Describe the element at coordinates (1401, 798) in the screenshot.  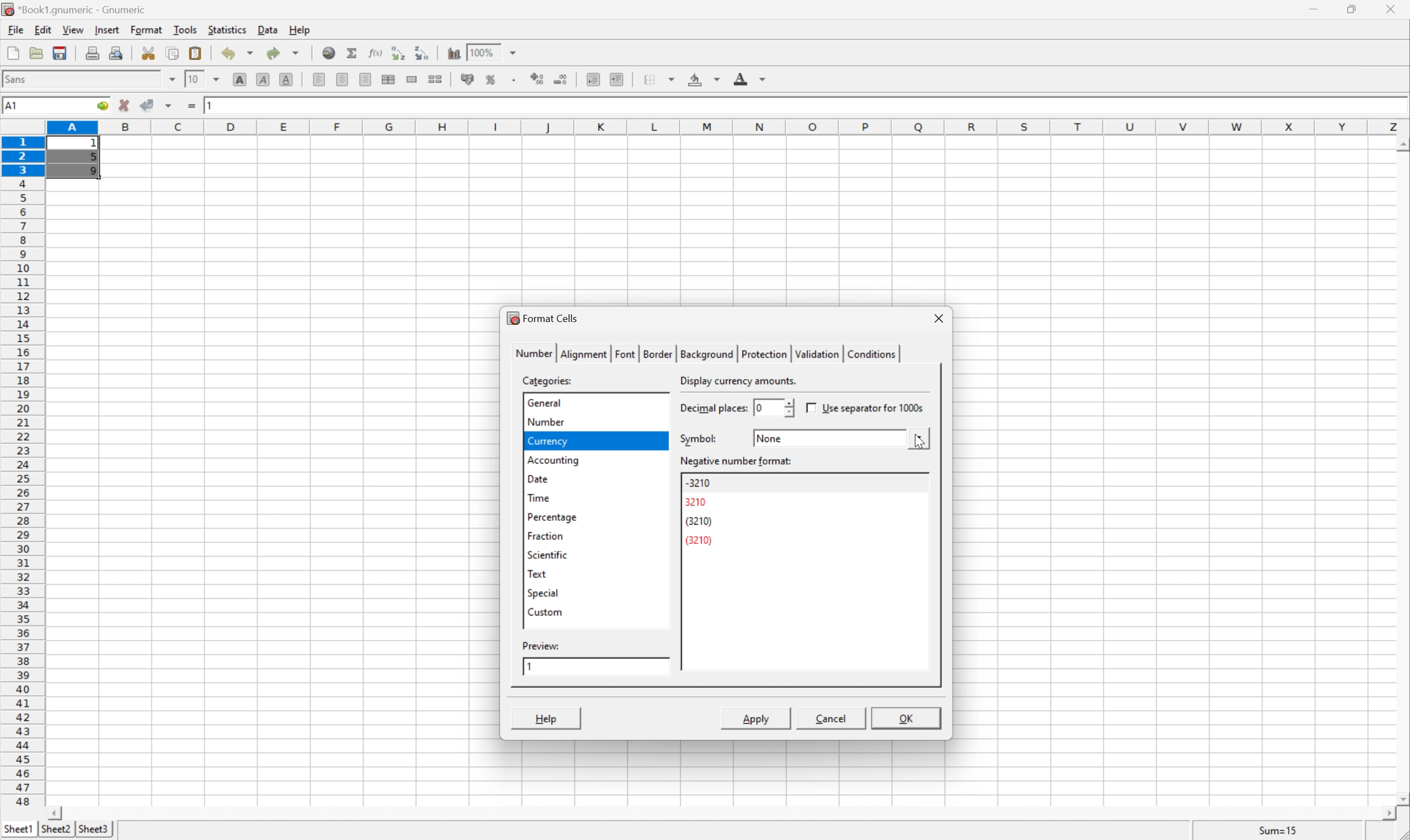
I see `scroll down` at that location.